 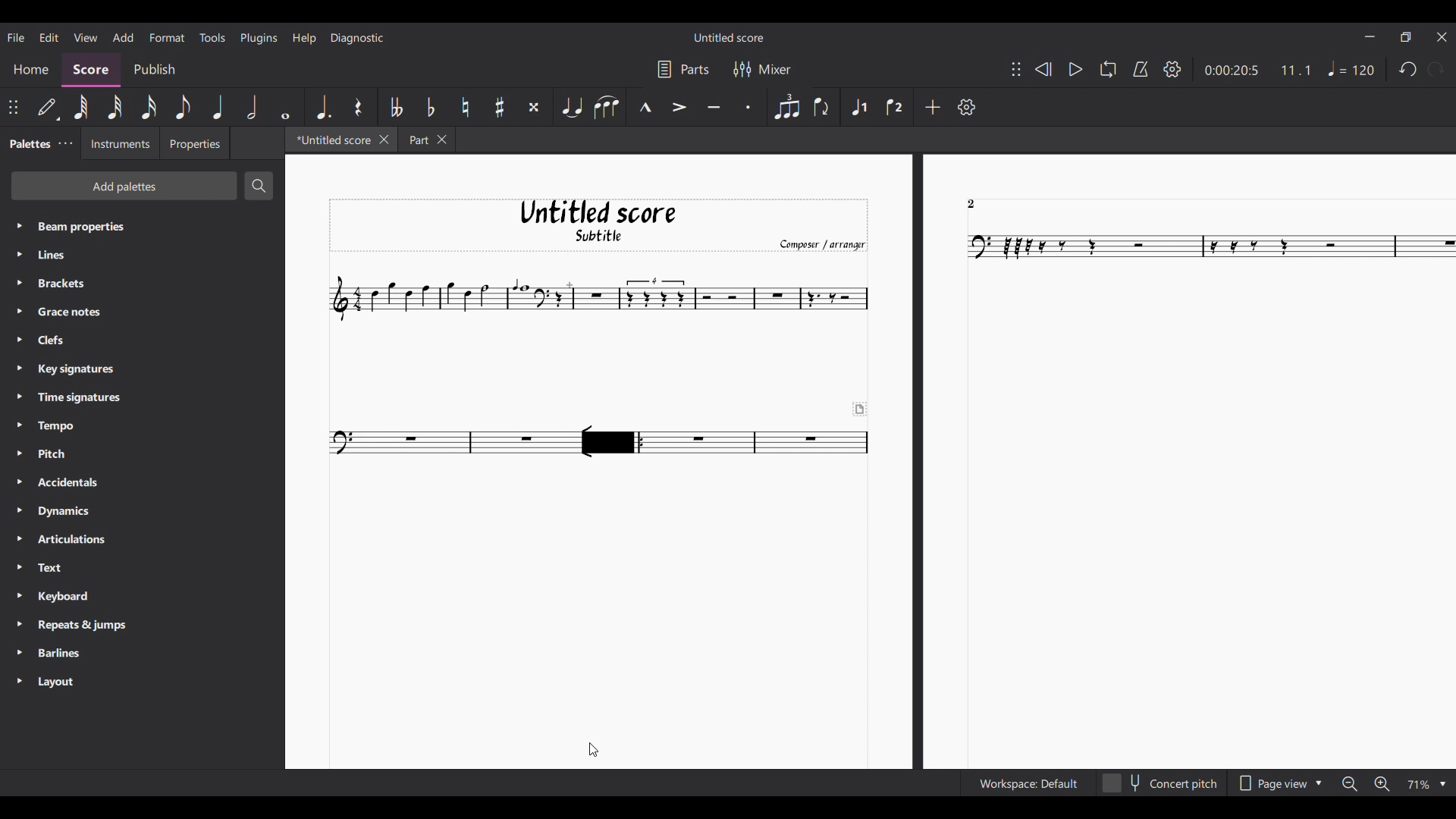 I want to click on Settings, so click(x=1173, y=69).